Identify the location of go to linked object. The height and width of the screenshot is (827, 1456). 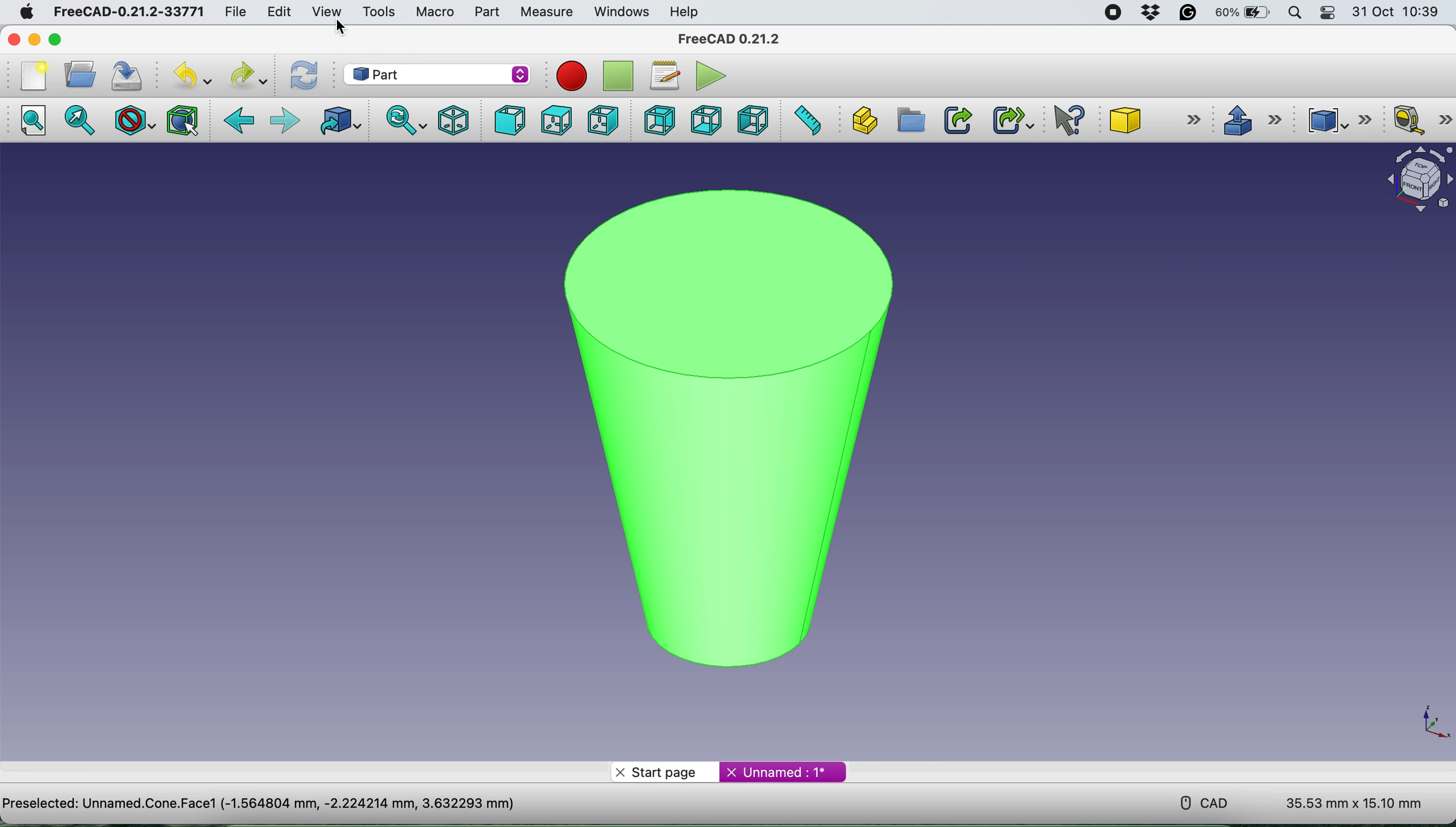
(337, 122).